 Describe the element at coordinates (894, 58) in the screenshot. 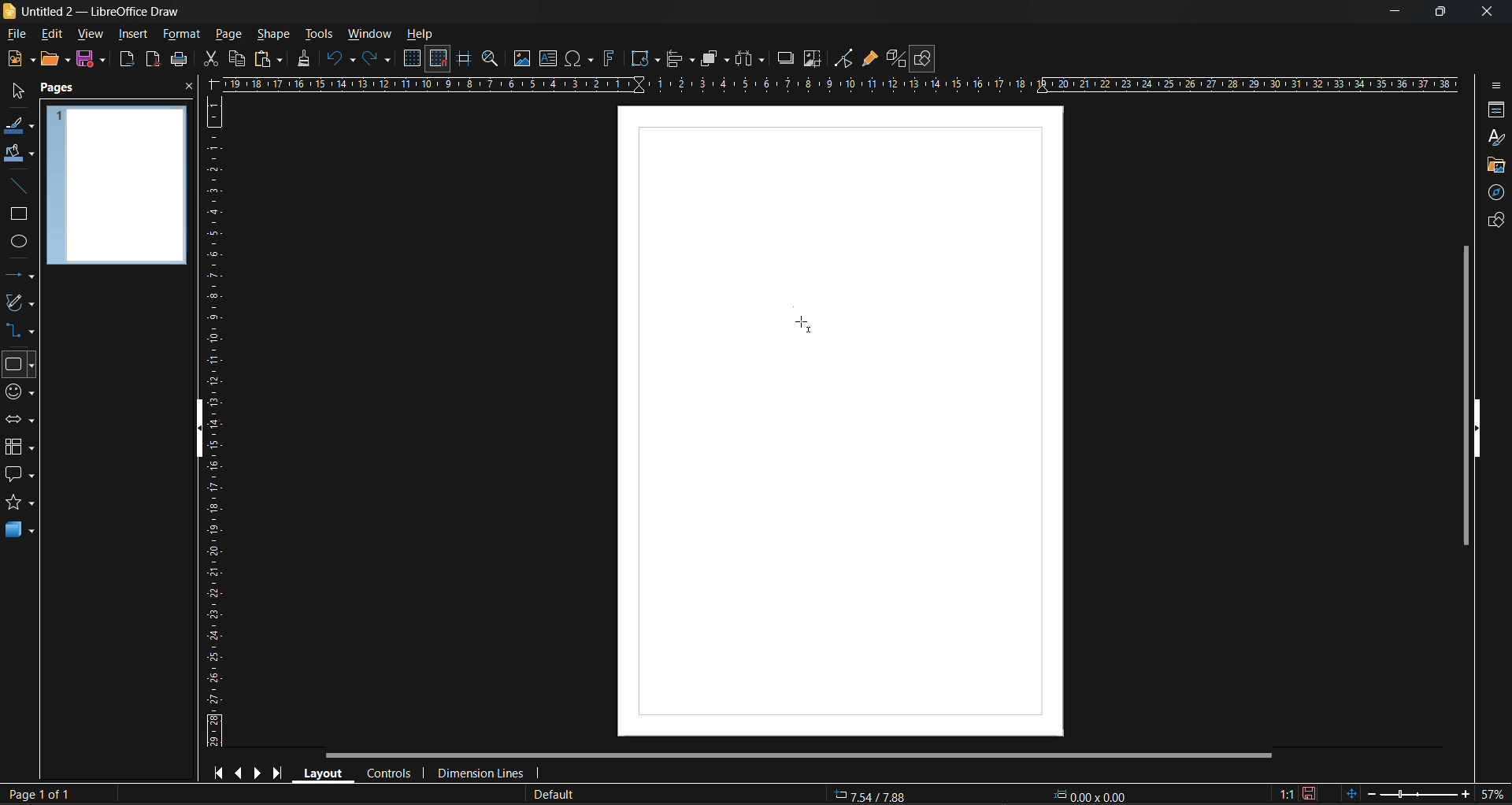

I see `toggle extrusion` at that location.